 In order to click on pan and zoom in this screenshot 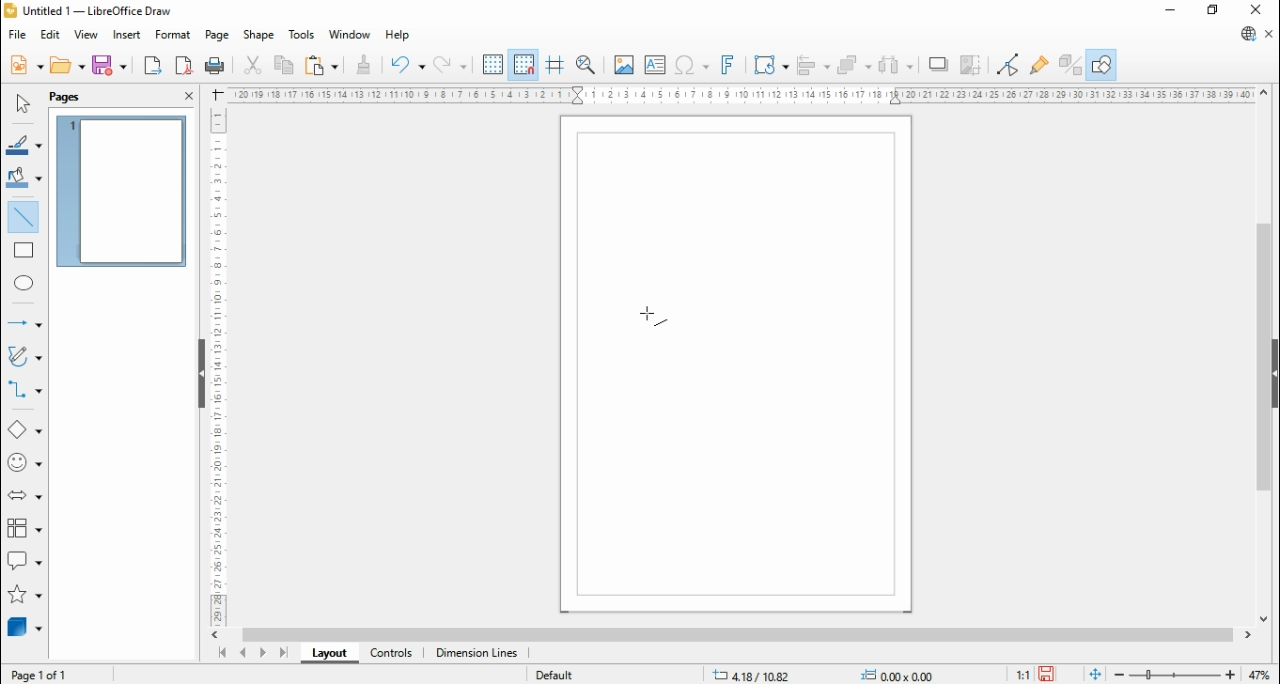, I will do `click(586, 64)`.